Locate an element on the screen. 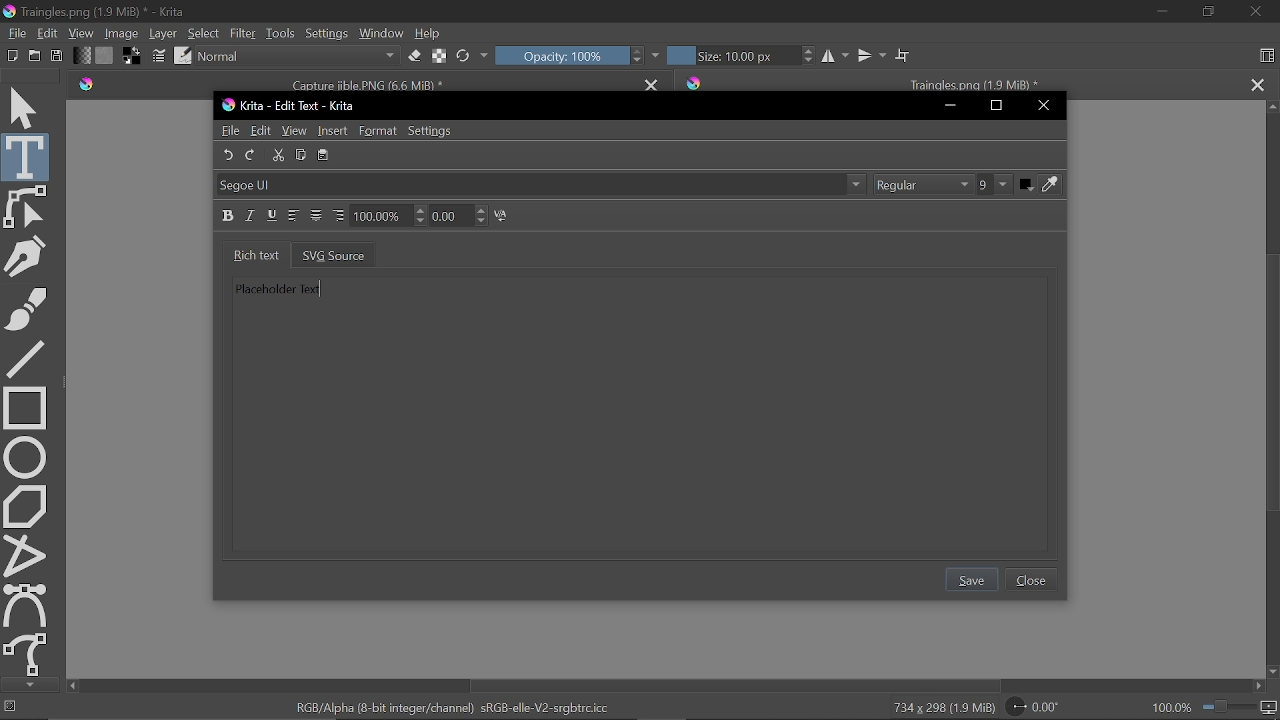 Image resolution: width=1280 pixels, height=720 pixels. Edit Brush settings is located at coordinates (157, 55).